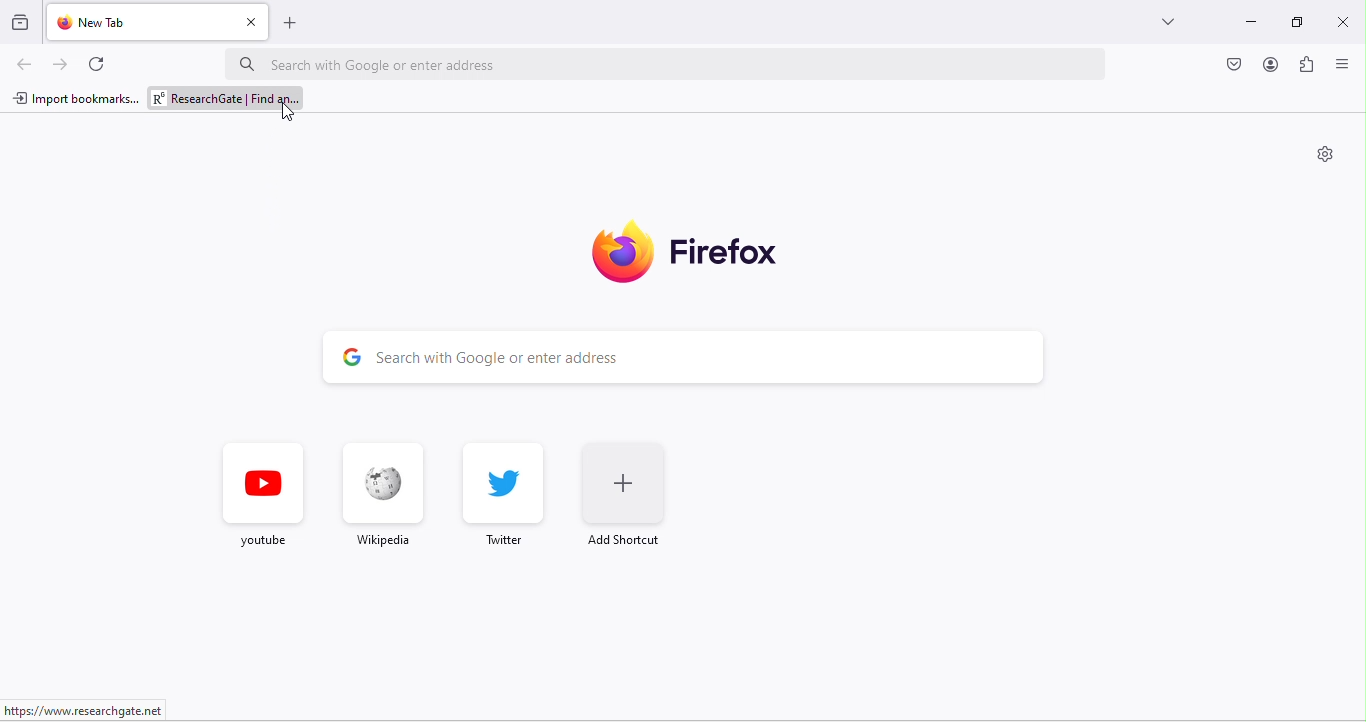 This screenshot has height=722, width=1366. Describe the element at coordinates (381, 502) in the screenshot. I see `Wikipedia` at that location.